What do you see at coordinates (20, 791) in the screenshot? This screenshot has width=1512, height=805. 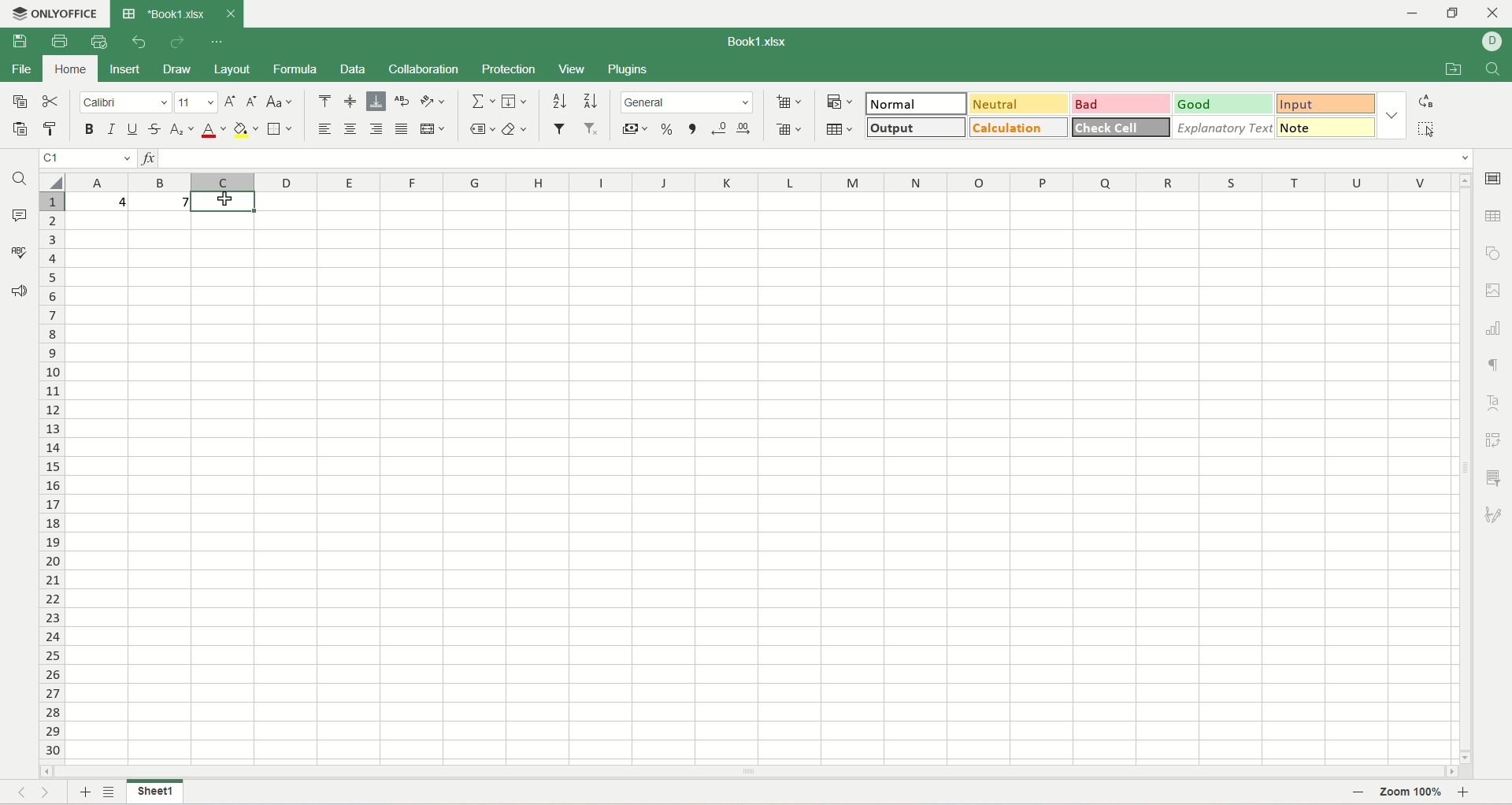 I see `previous` at bounding box center [20, 791].